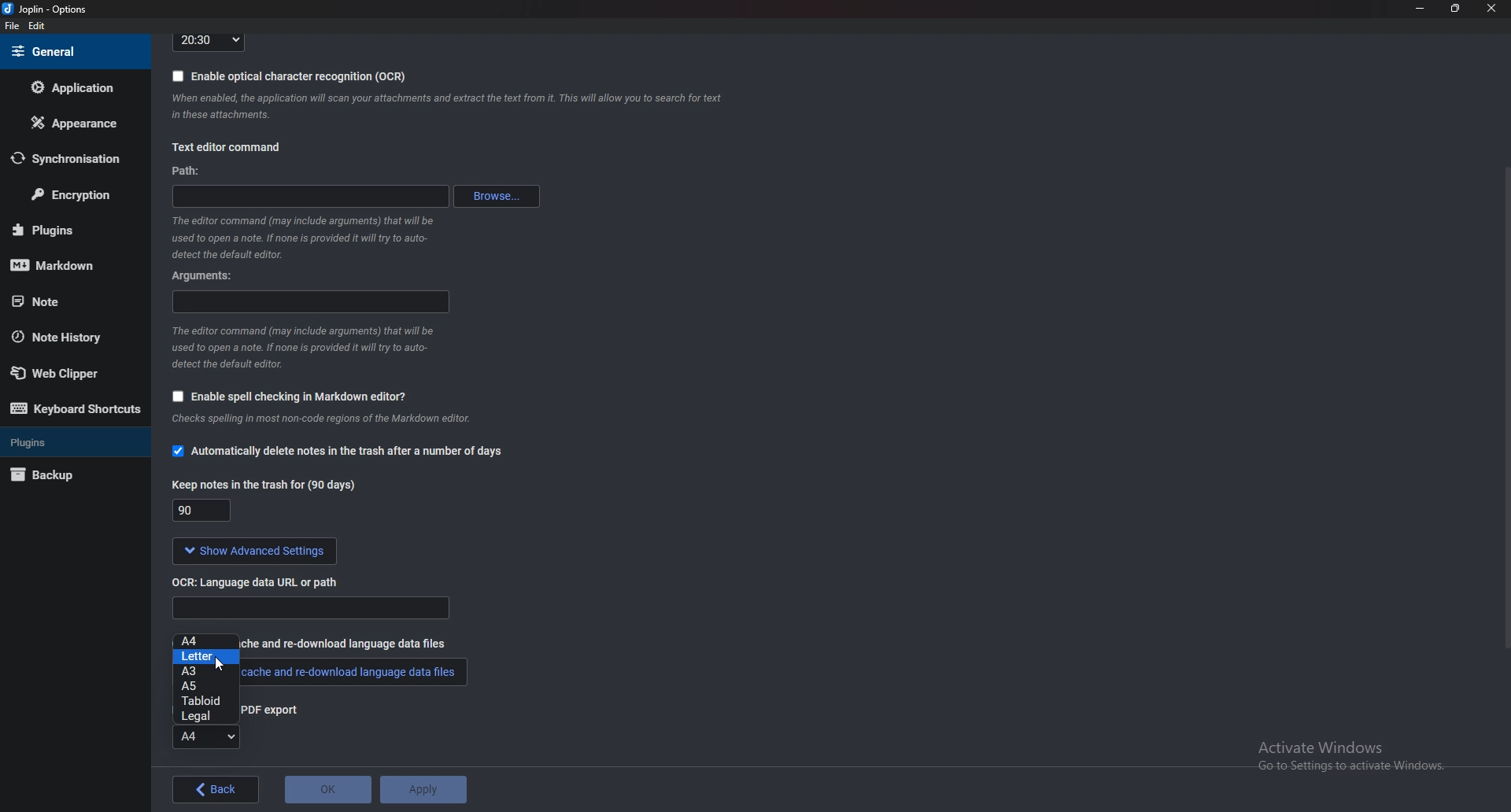 The image size is (1511, 812). Describe the element at coordinates (422, 790) in the screenshot. I see `Apply` at that location.